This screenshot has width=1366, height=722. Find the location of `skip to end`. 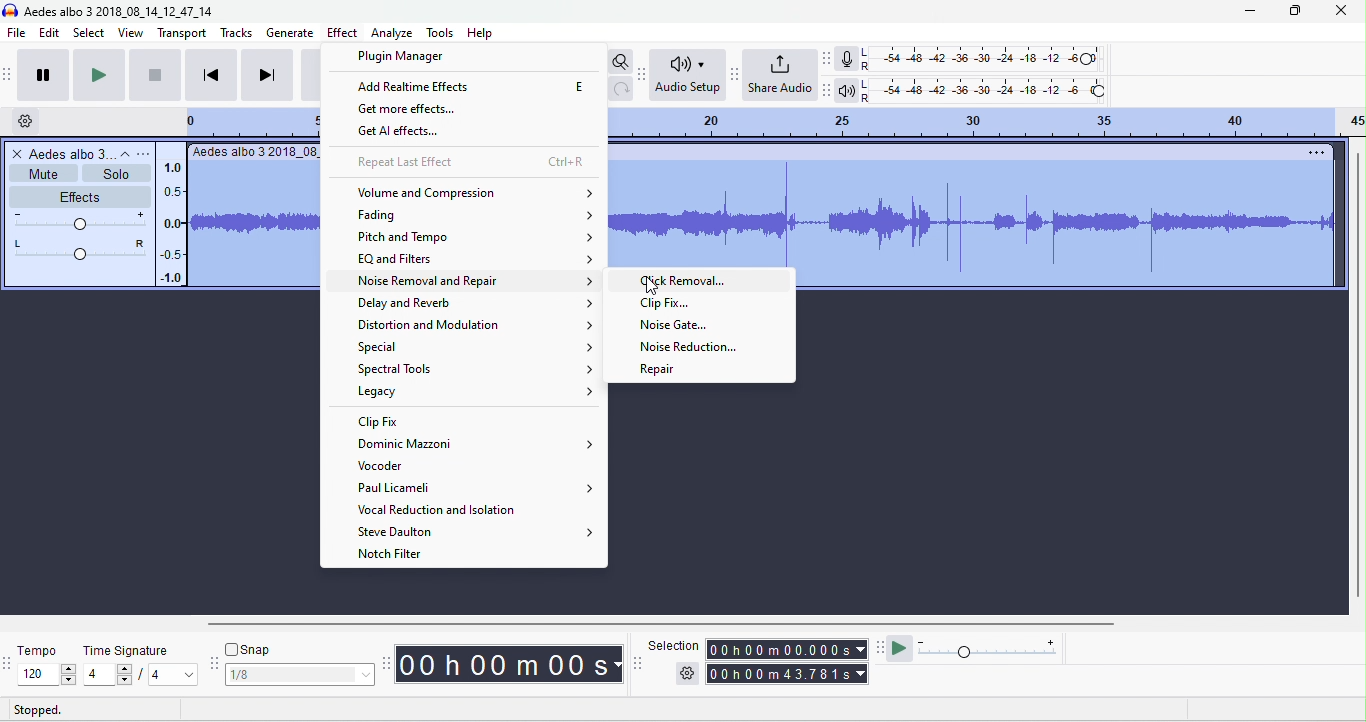

skip to end is located at coordinates (266, 75).